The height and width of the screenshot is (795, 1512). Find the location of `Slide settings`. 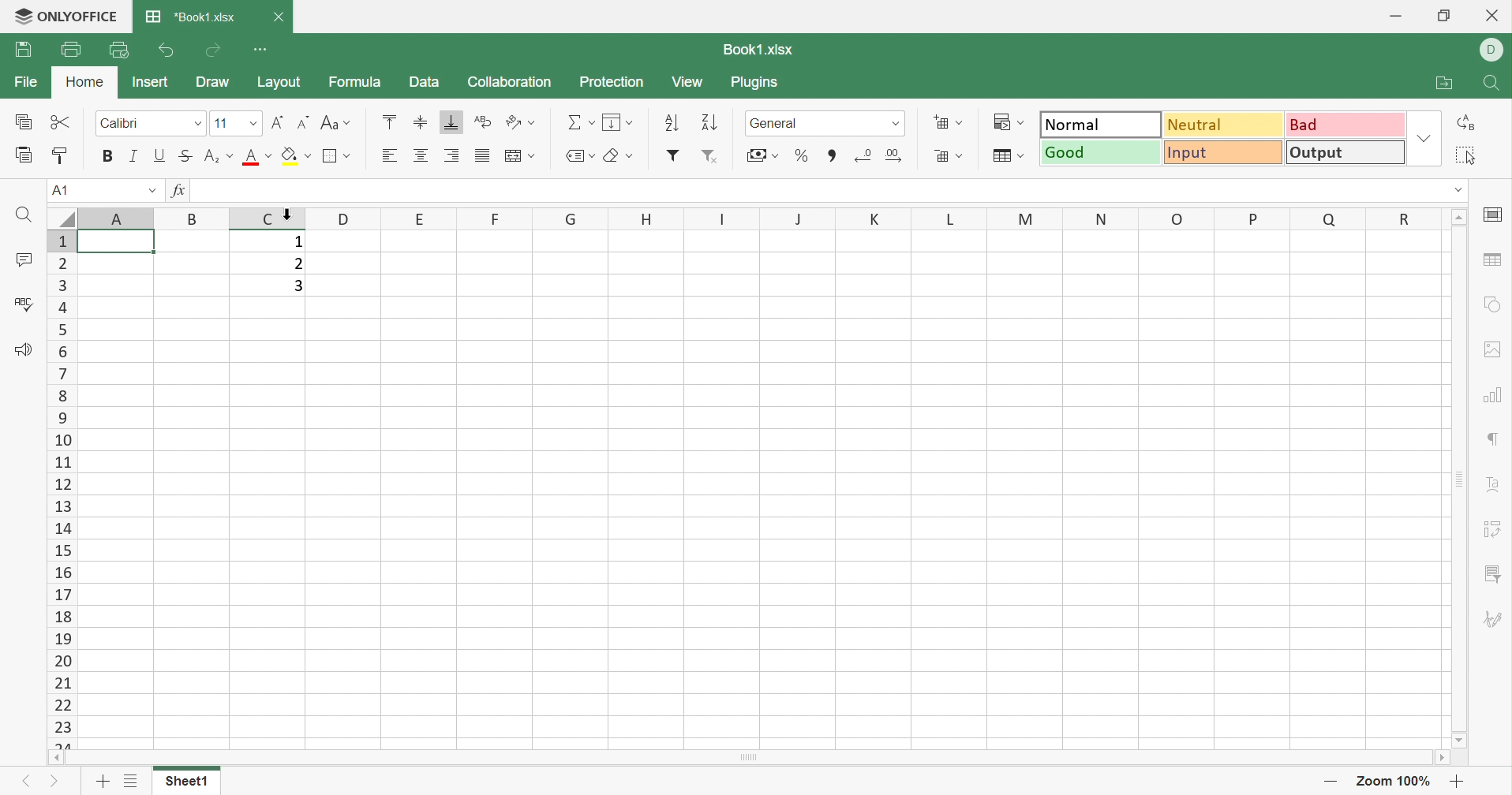

Slide settings is located at coordinates (1494, 216).